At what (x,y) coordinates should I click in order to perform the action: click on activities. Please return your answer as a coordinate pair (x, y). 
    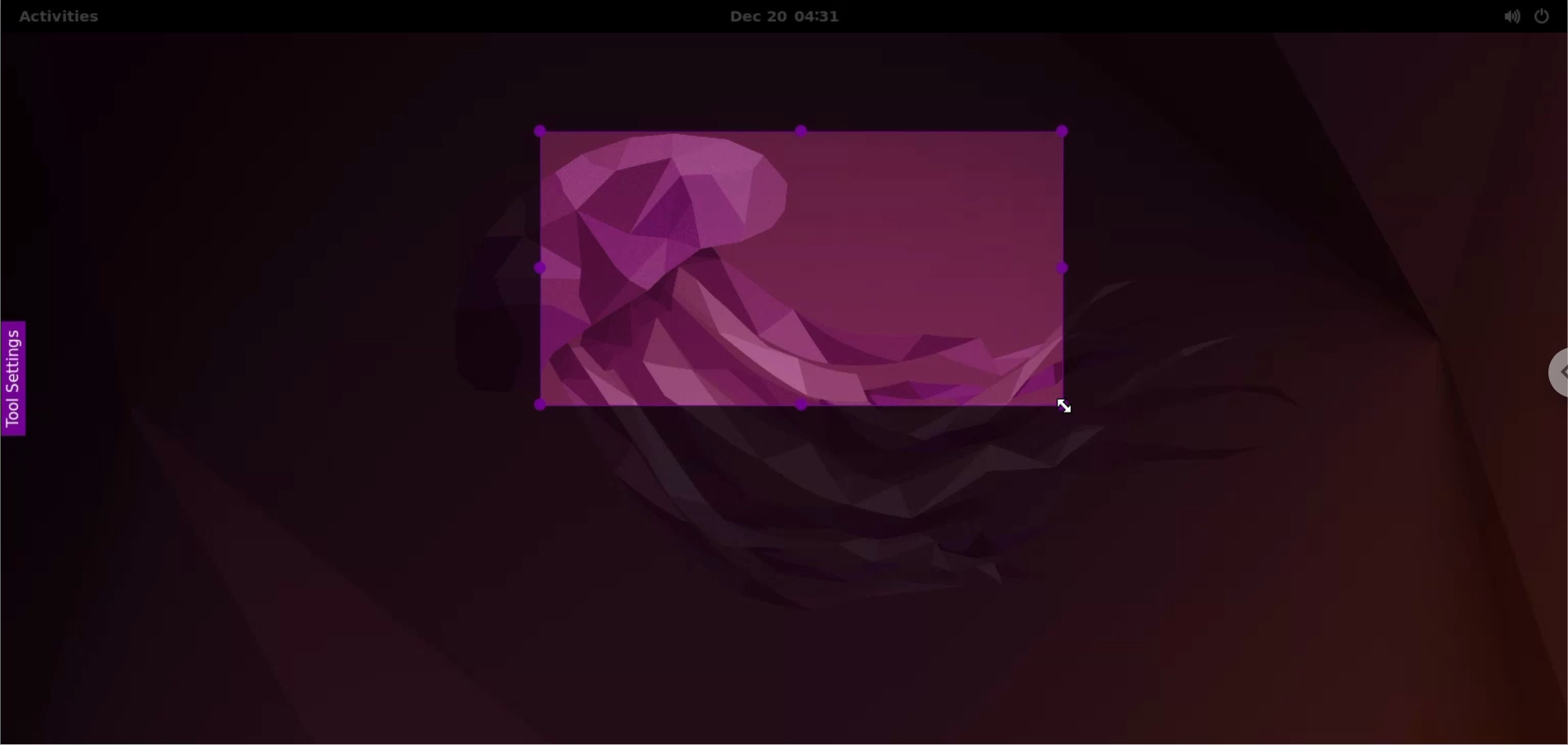
    Looking at the image, I should click on (65, 16).